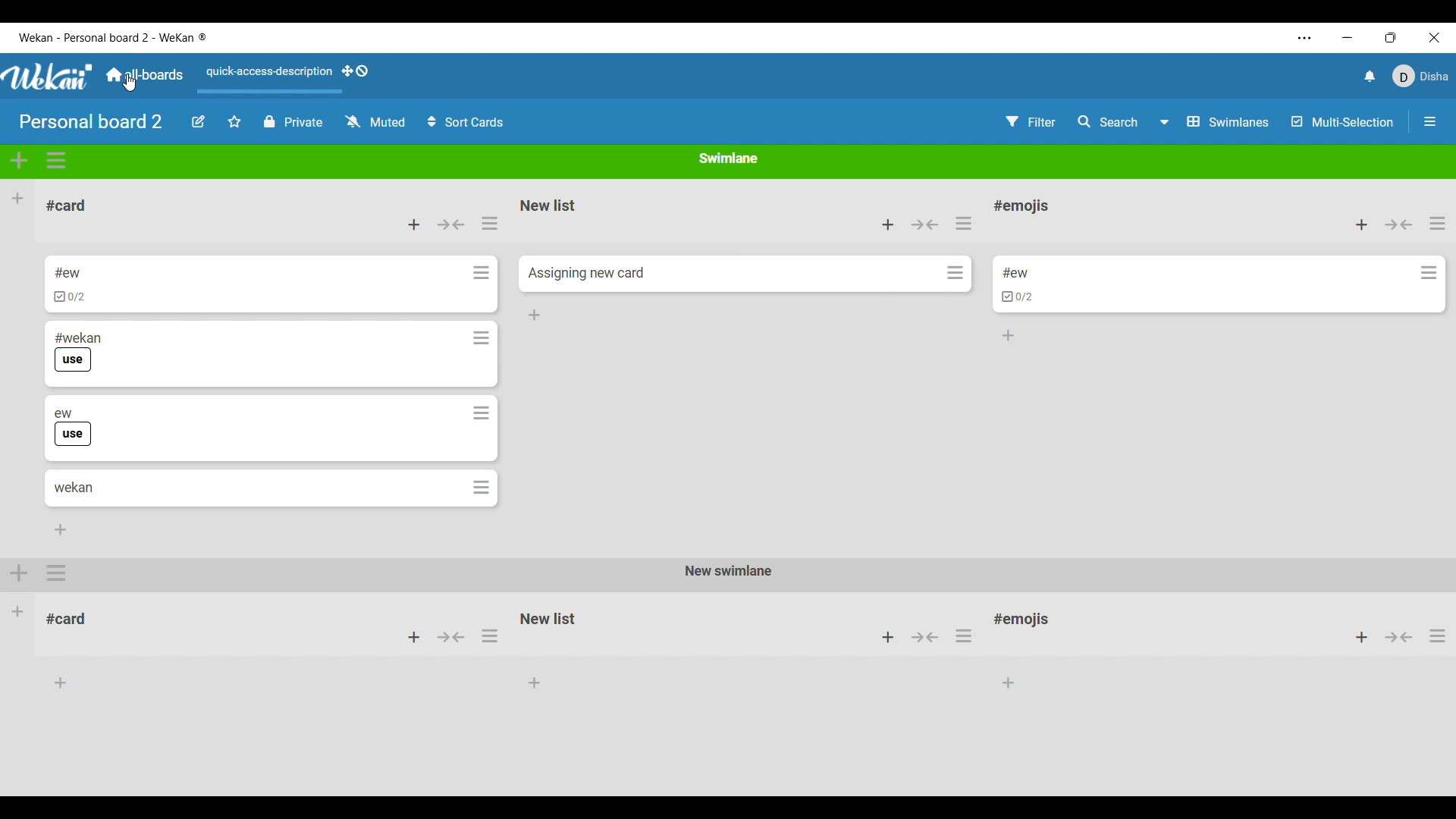  I want to click on Card name, so click(75, 487).